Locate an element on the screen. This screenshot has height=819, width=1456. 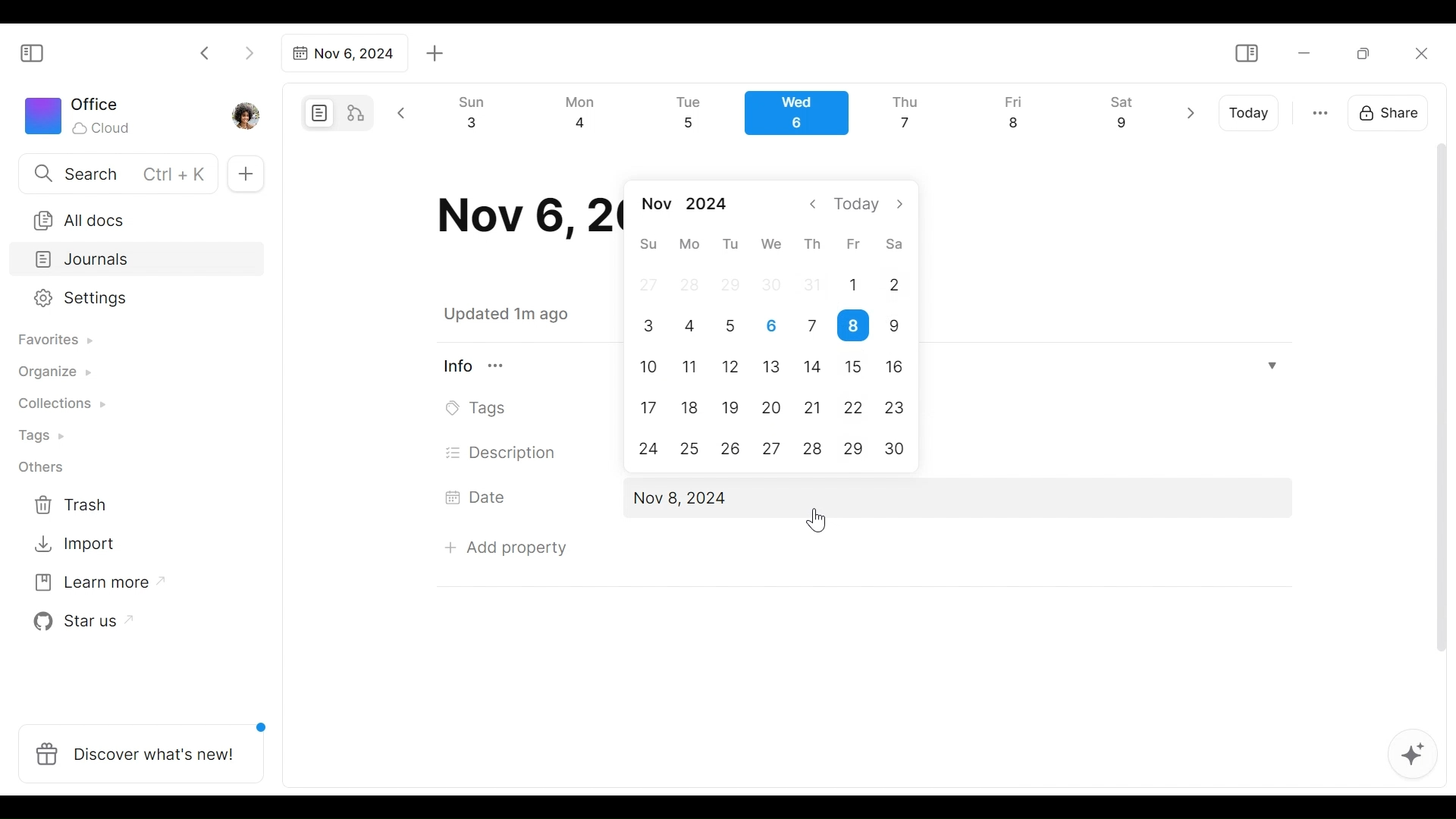
Restore is located at coordinates (1369, 52).